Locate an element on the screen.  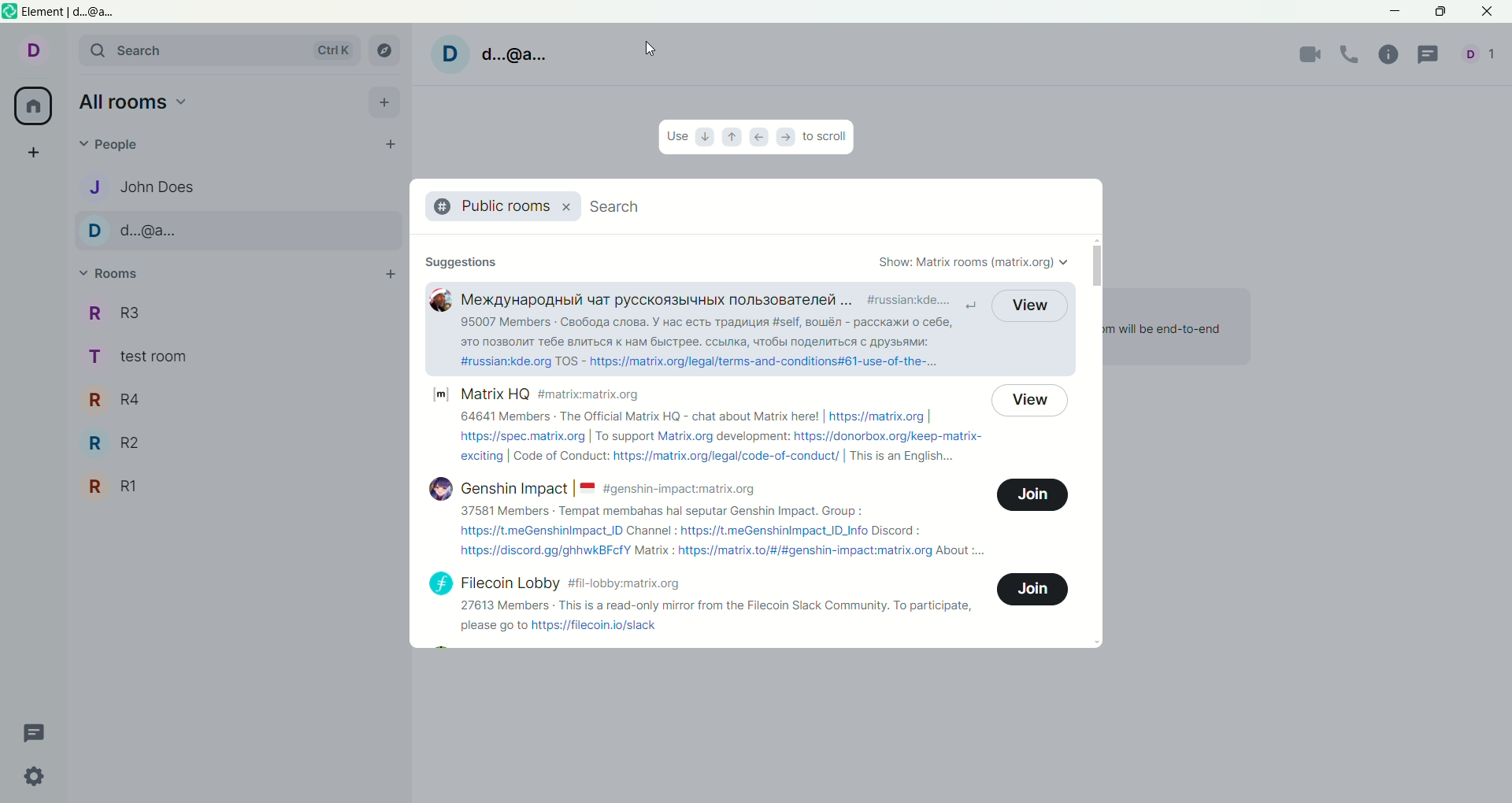
people is located at coordinates (115, 145).